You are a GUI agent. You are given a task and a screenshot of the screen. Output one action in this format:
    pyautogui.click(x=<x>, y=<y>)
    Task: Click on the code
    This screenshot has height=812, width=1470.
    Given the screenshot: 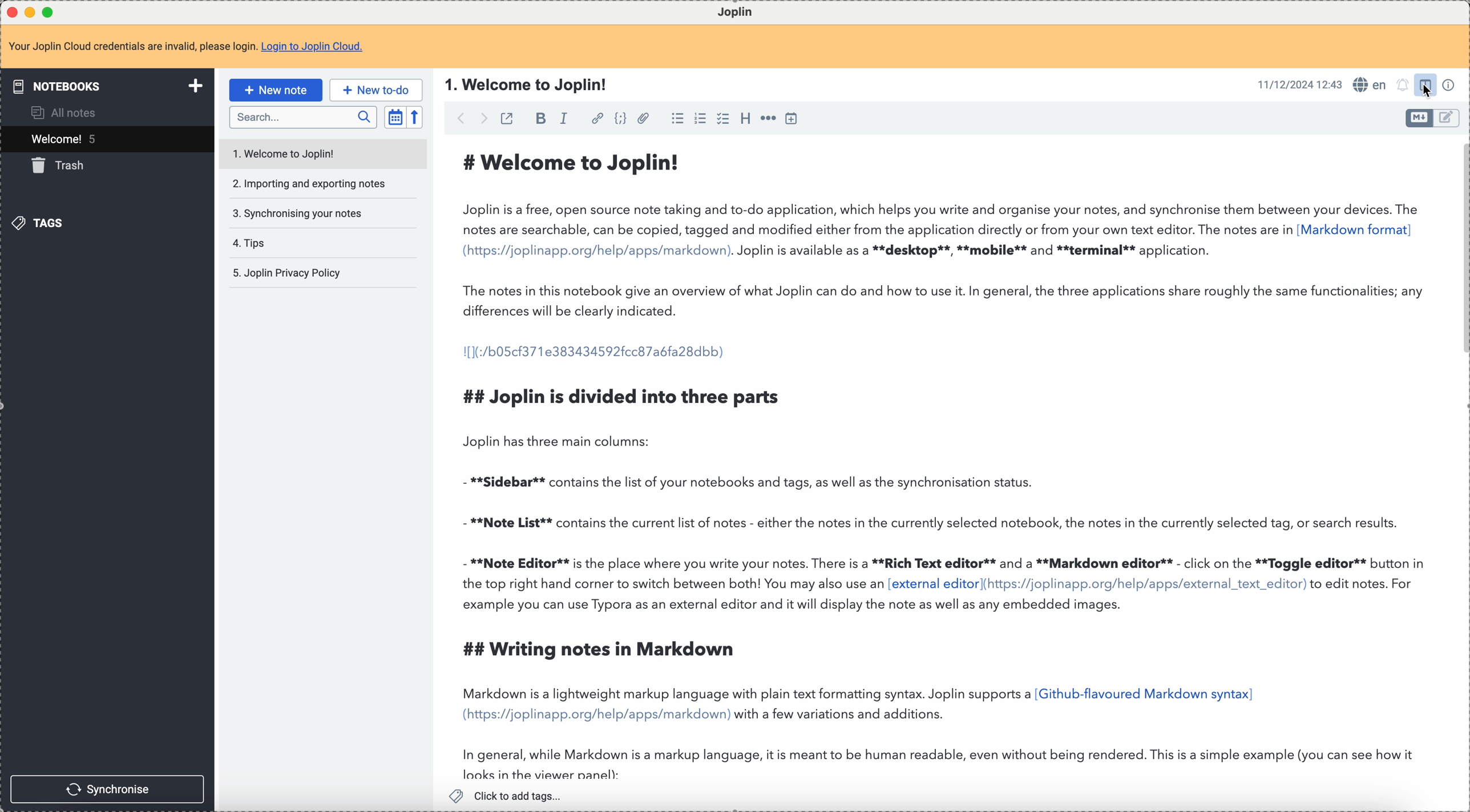 What is the action you would take?
    pyautogui.click(x=622, y=119)
    